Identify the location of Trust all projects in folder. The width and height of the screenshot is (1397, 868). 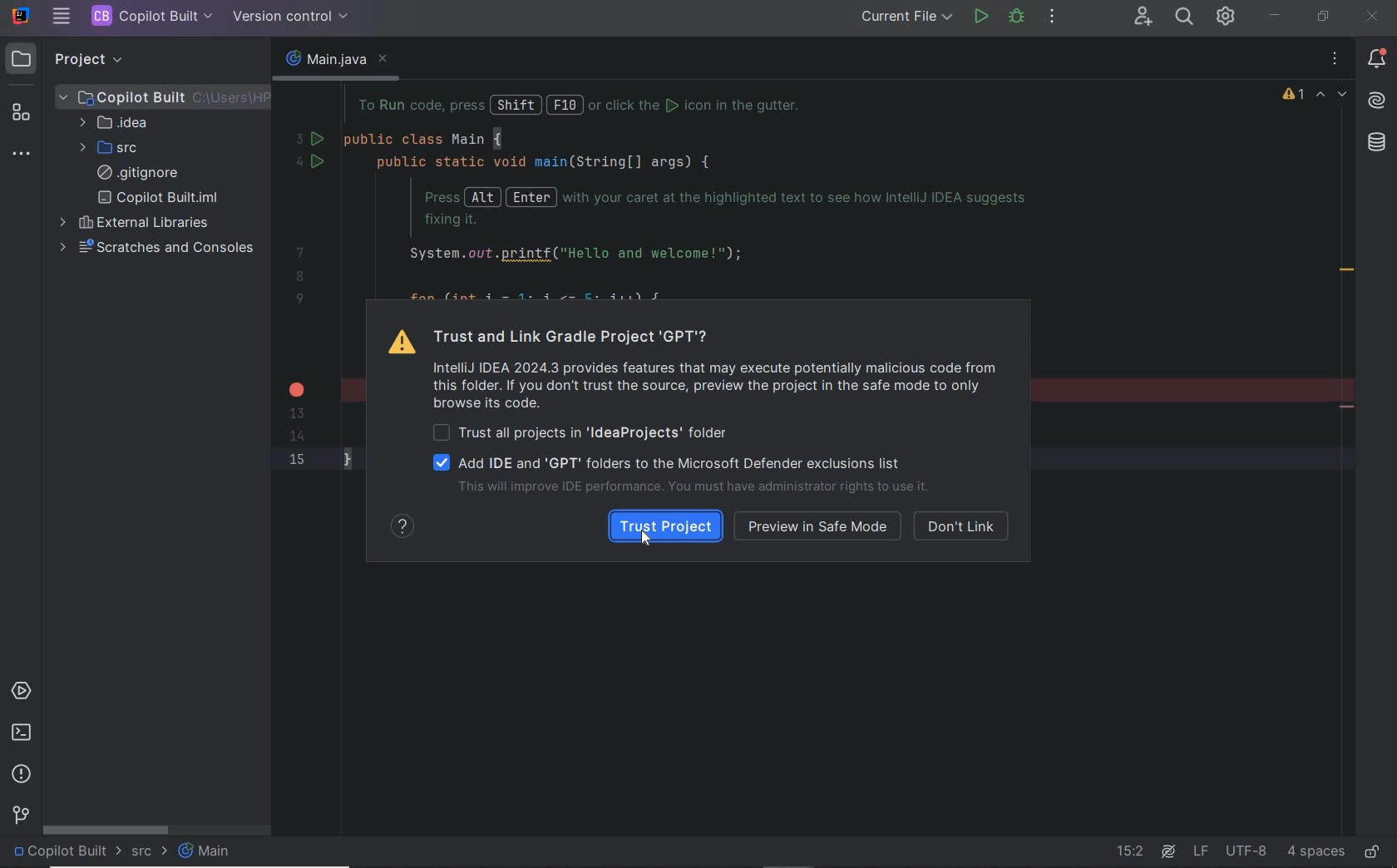
(585, 432).